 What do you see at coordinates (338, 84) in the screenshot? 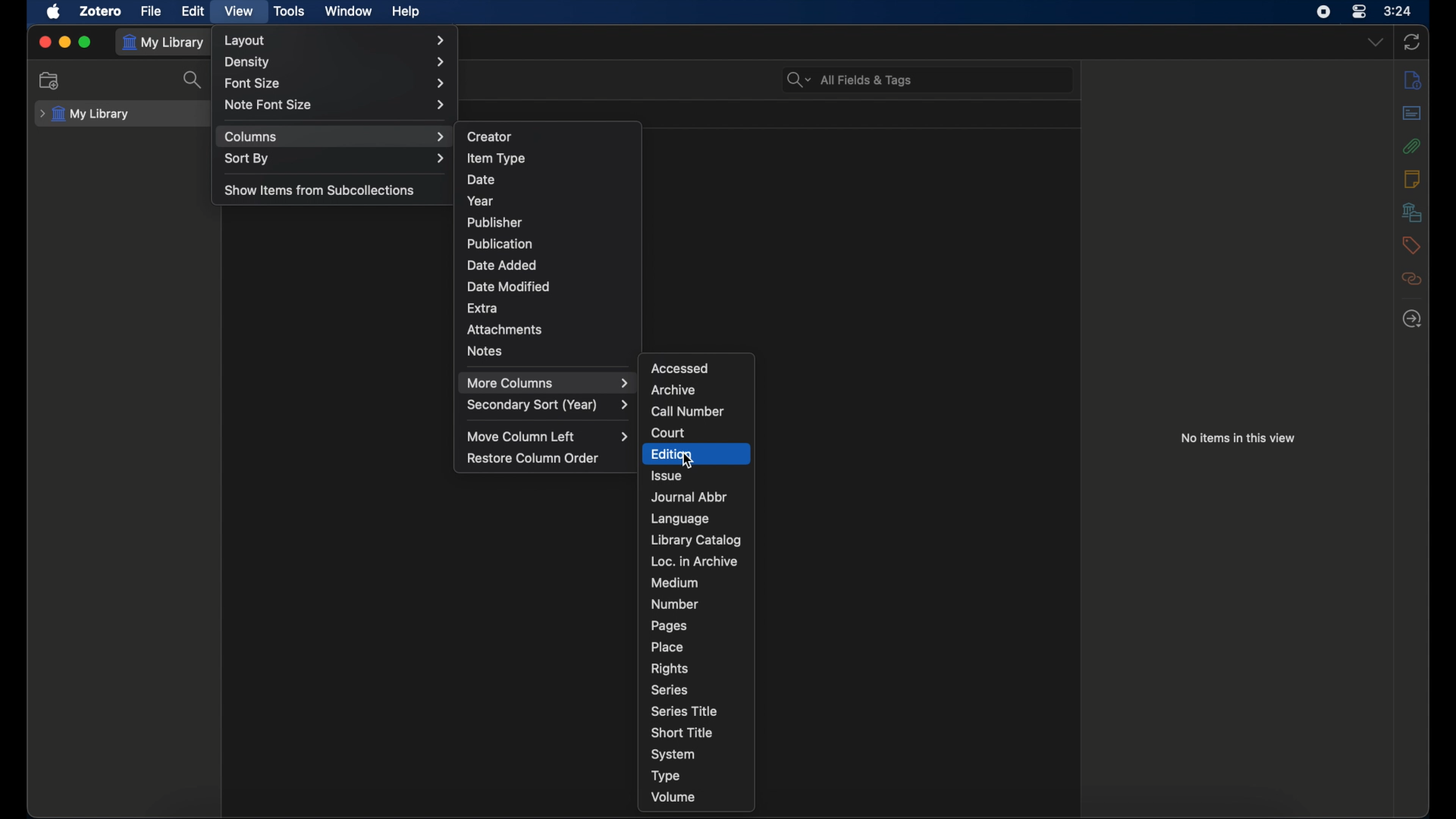
I see `font size` at bounding box center [338, 84].